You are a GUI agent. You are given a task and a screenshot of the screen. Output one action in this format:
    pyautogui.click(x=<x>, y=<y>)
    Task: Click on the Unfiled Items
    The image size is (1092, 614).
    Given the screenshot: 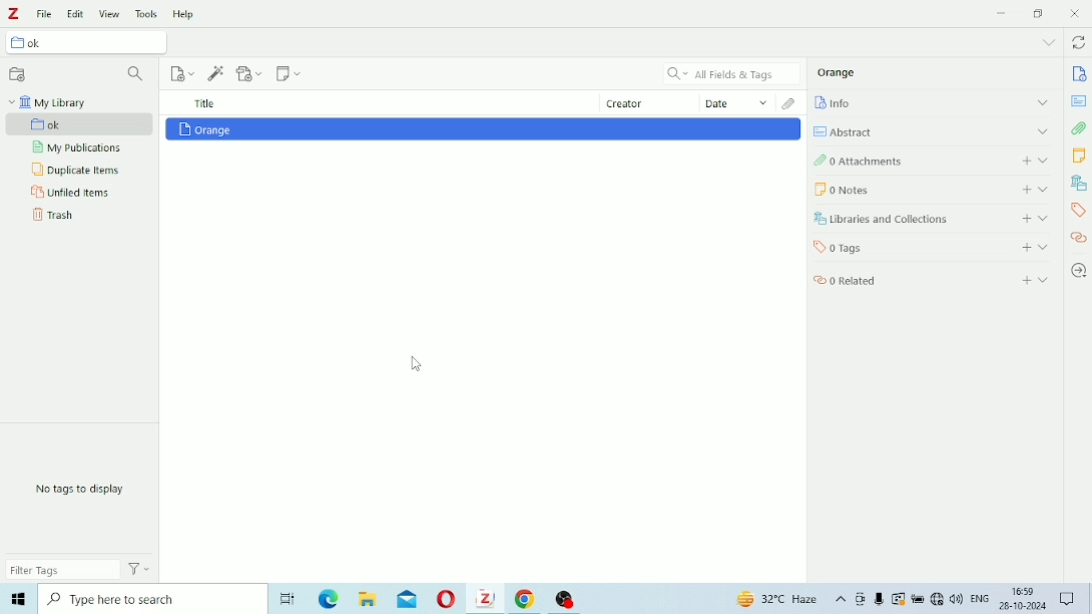 What is the action you would take?
    pyautogui.click(x=71, y=193)
    